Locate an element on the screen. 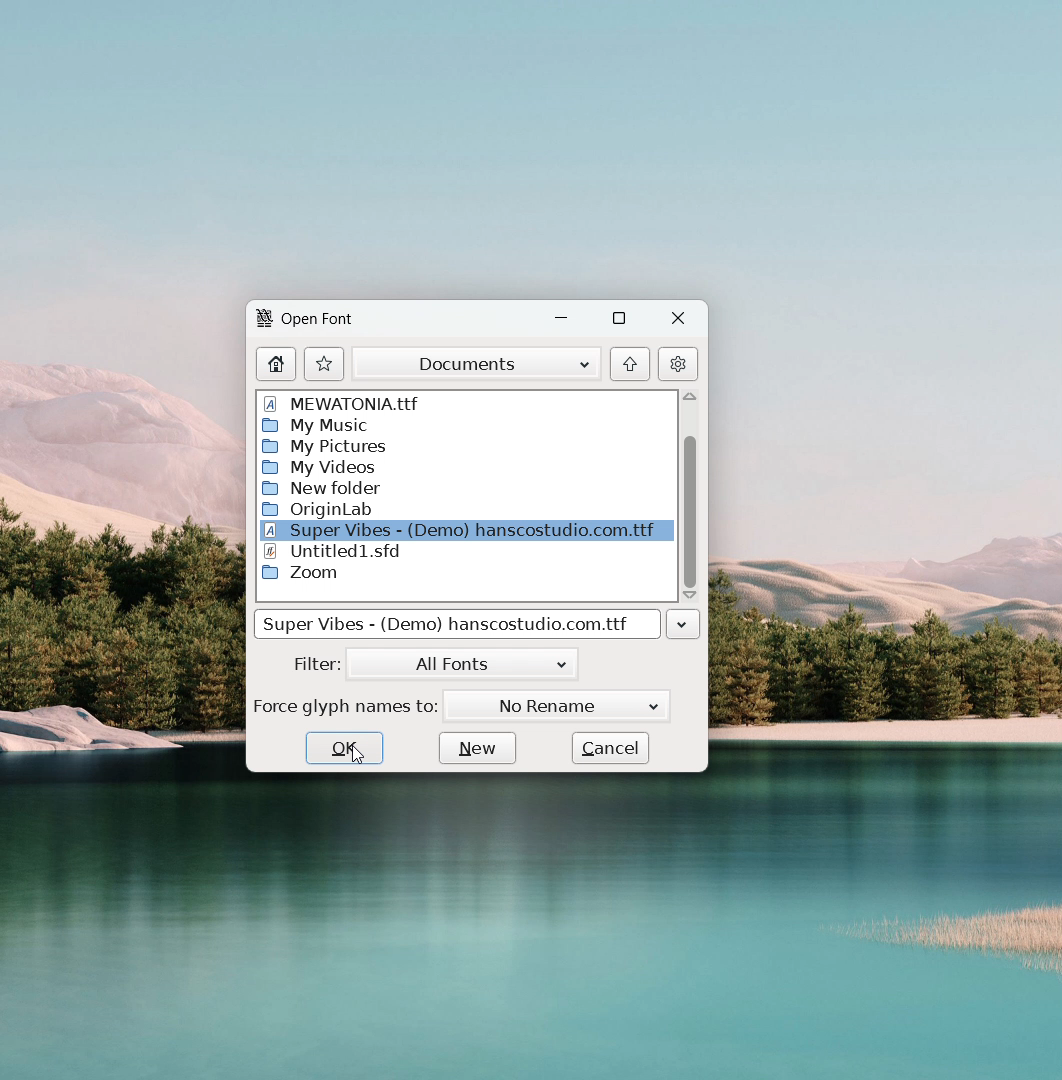 The image size is (1062, 1080). maximize is located at coordinates (621, 319).